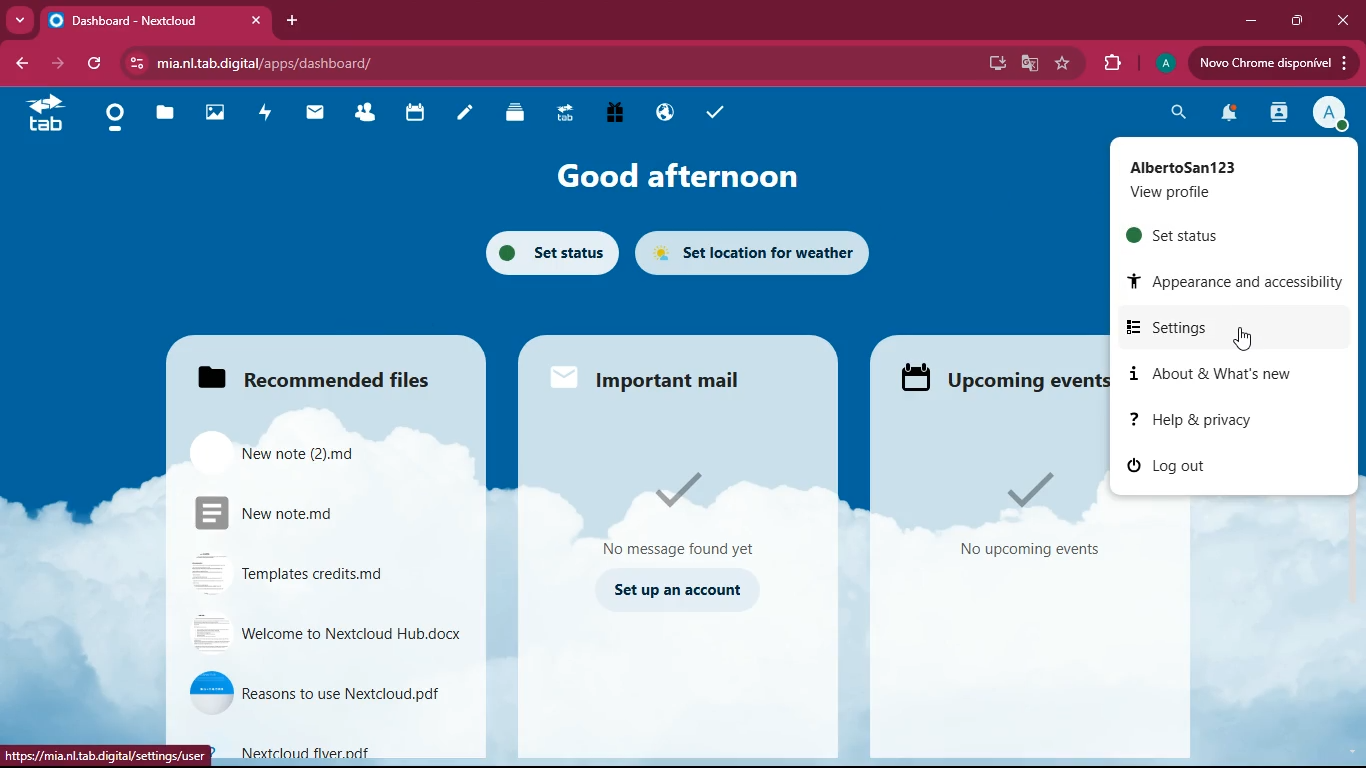 The image size is (1366, 768). I want to click on profile, so click(1235, 179).